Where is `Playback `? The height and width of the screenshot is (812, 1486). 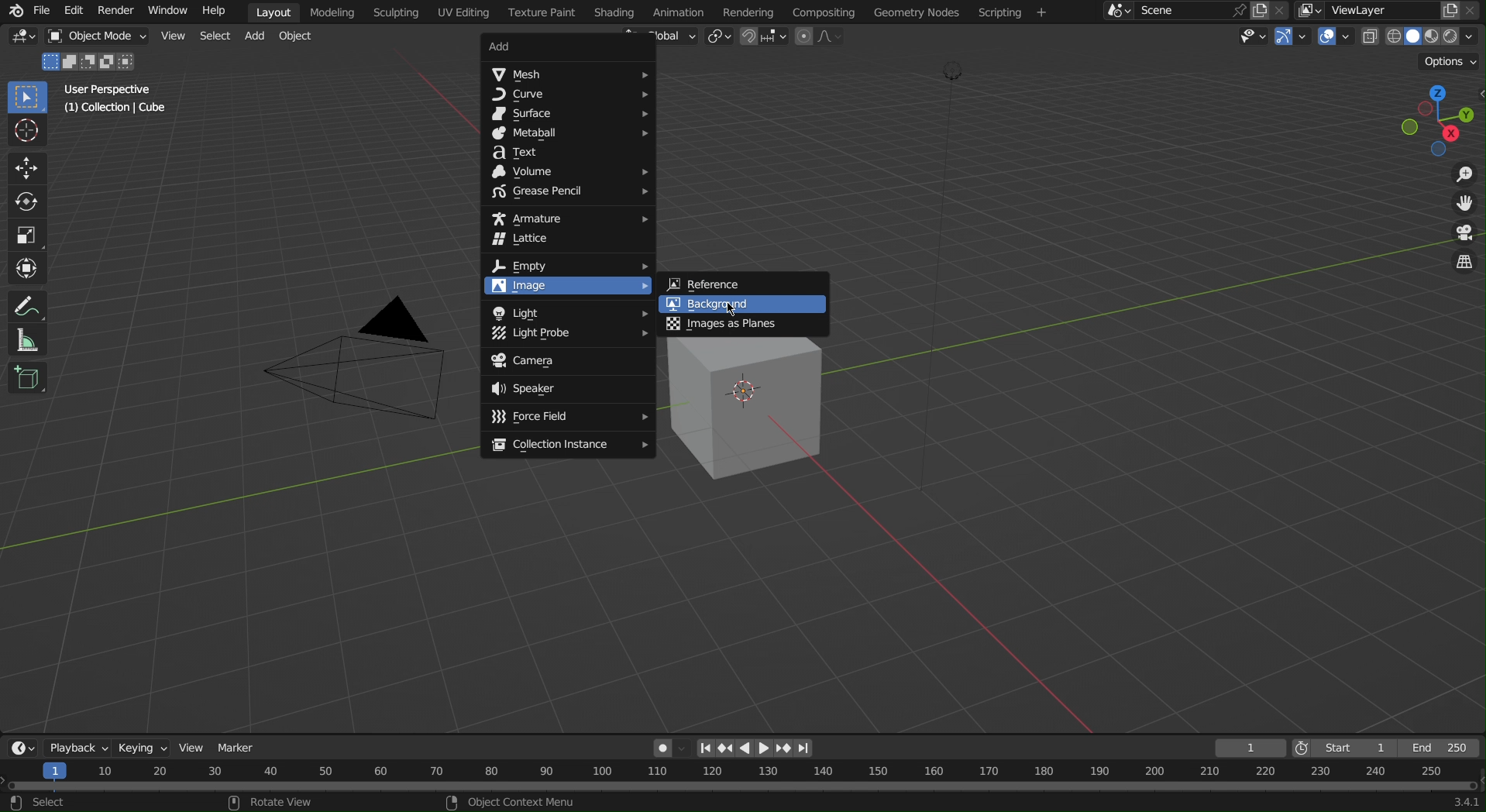 Playback  is located at coordinates (77, 747).